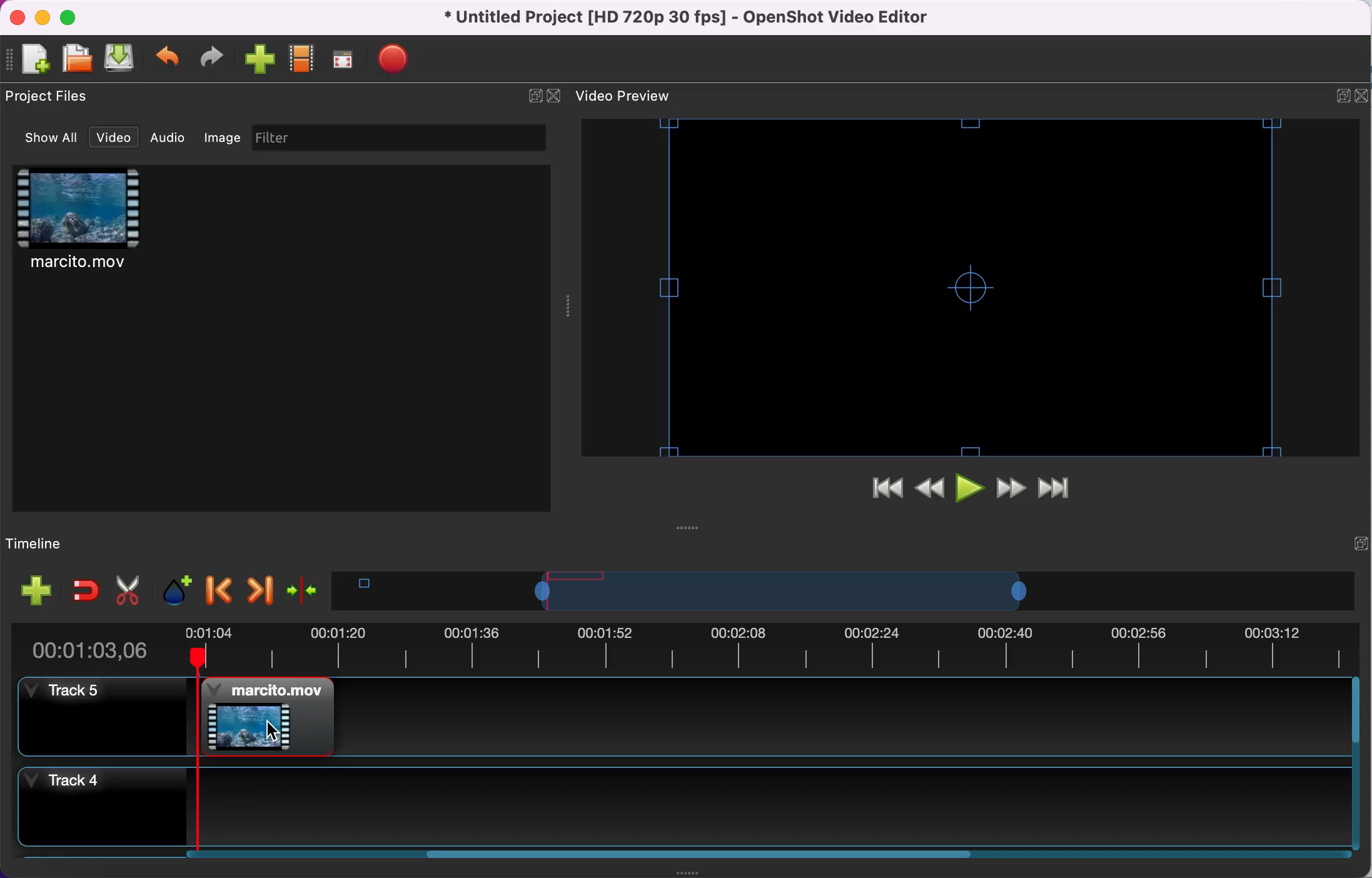  What do you see at coordinates (627, 96) in the screenshot?
I see `video preview` at bounding box center [627, 96].